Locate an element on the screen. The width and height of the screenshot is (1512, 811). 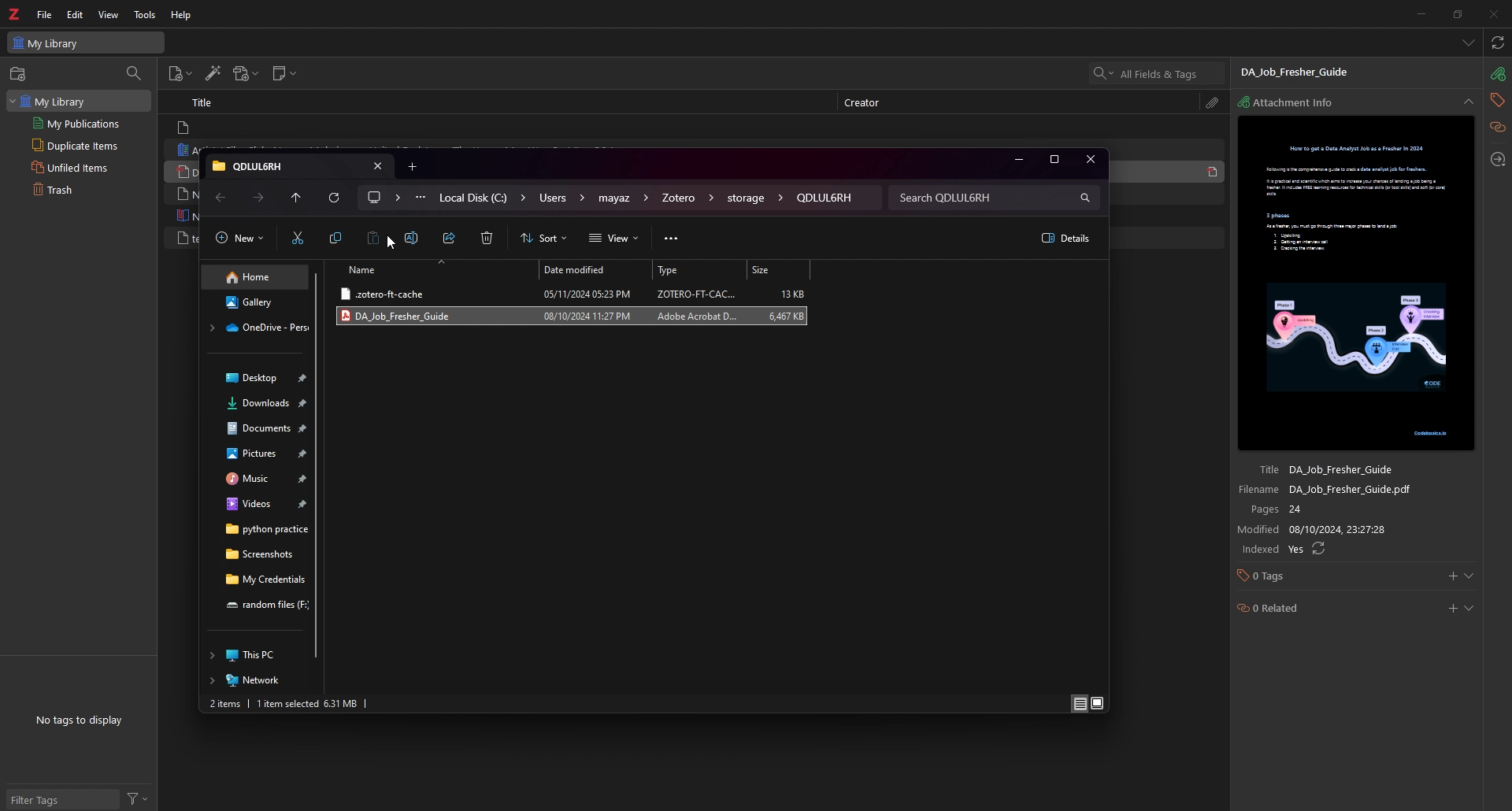
this pc is located at coordinates (254, 654).